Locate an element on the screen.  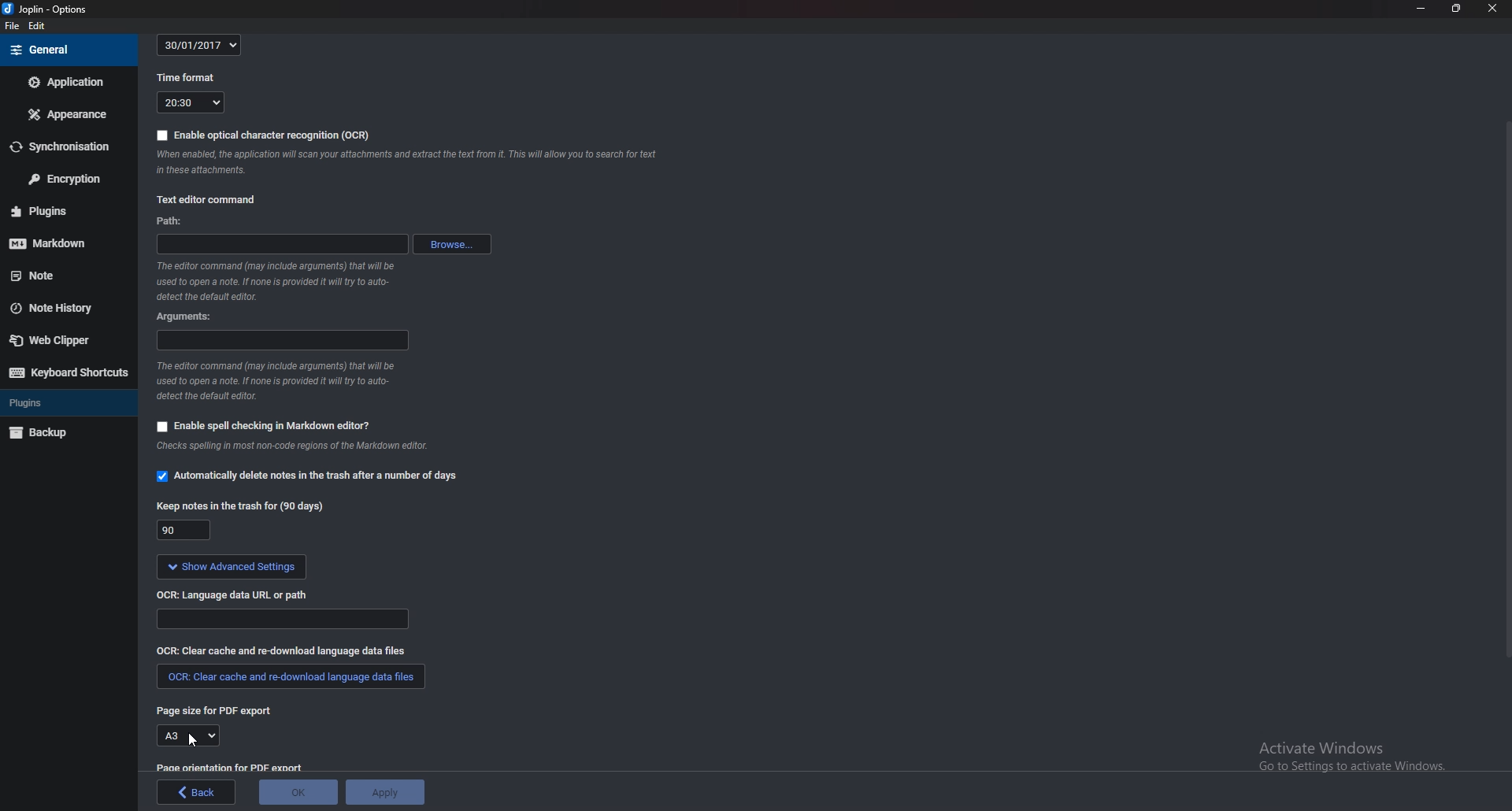
Keep notes in the trash for is located at coordinates (239, 503).